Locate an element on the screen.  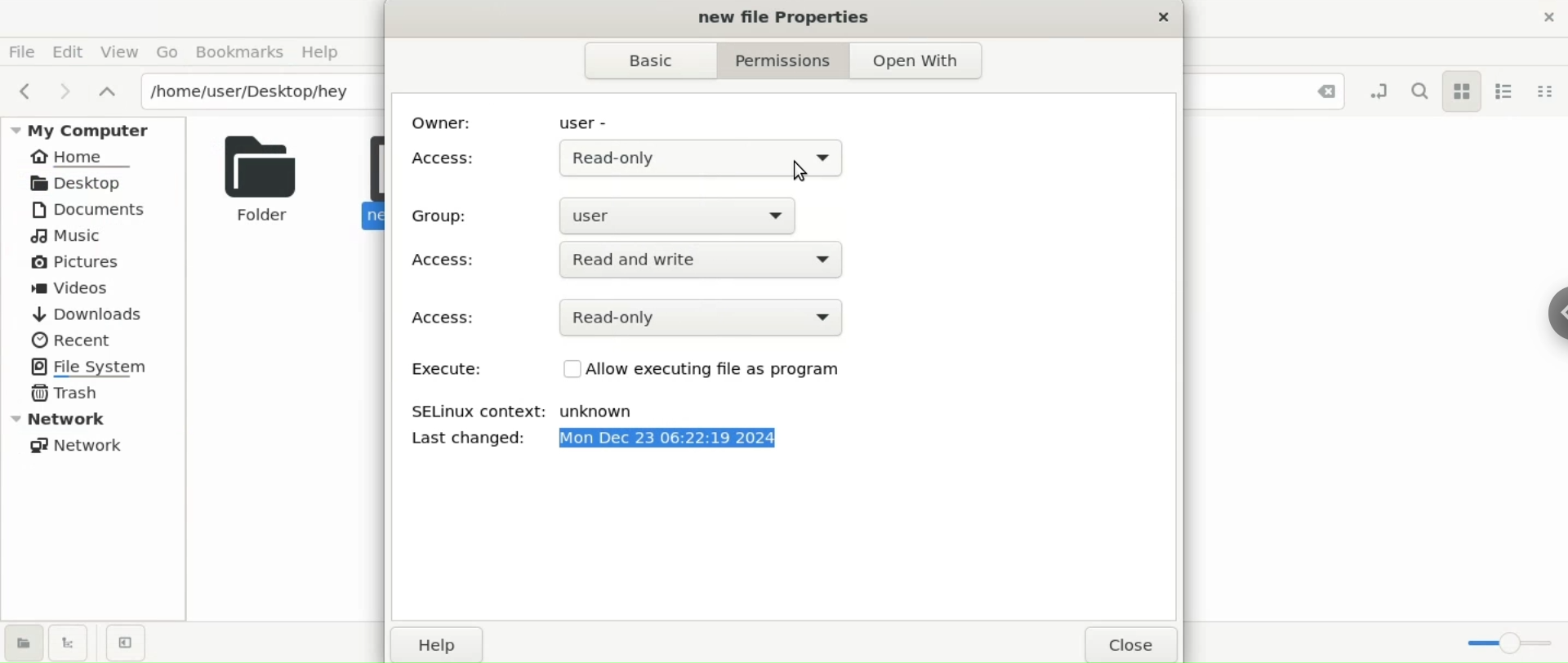
user is located at coordinates (687, 213).